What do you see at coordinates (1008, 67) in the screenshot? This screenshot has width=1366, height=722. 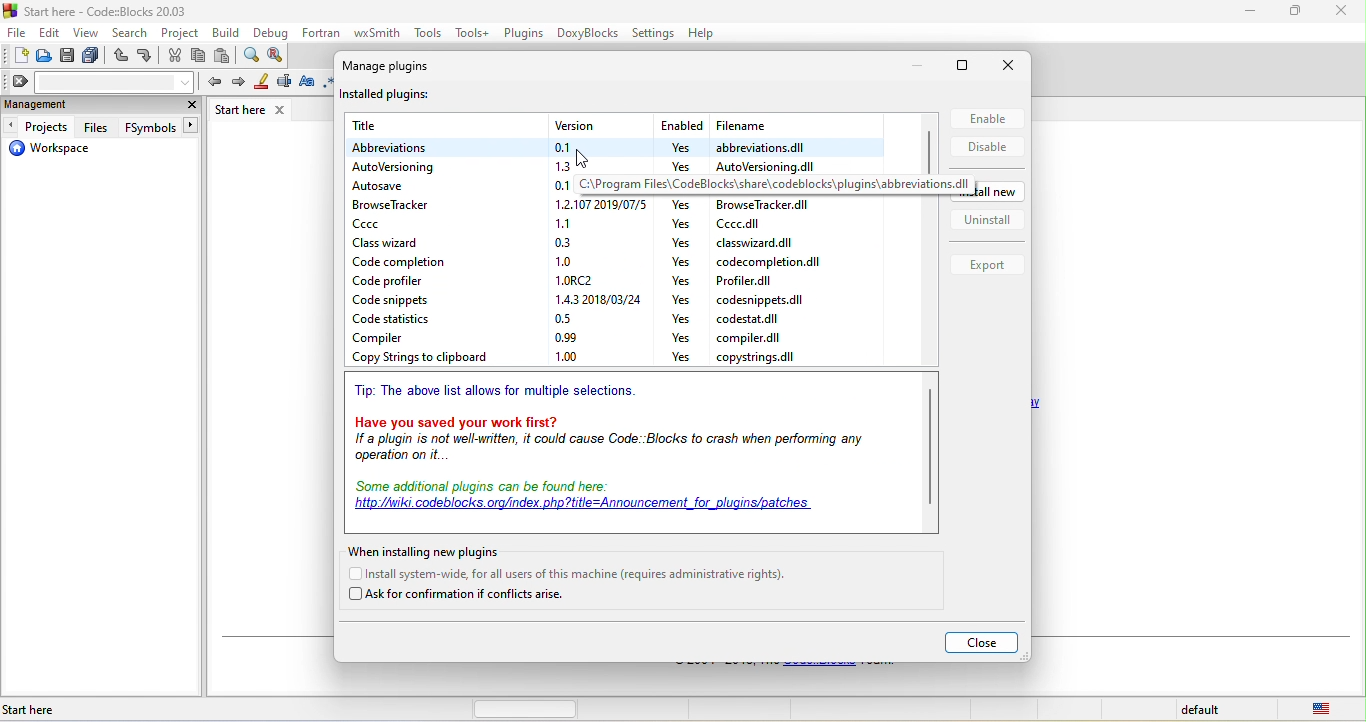 I see `close` at bounding box center [1008, 67].